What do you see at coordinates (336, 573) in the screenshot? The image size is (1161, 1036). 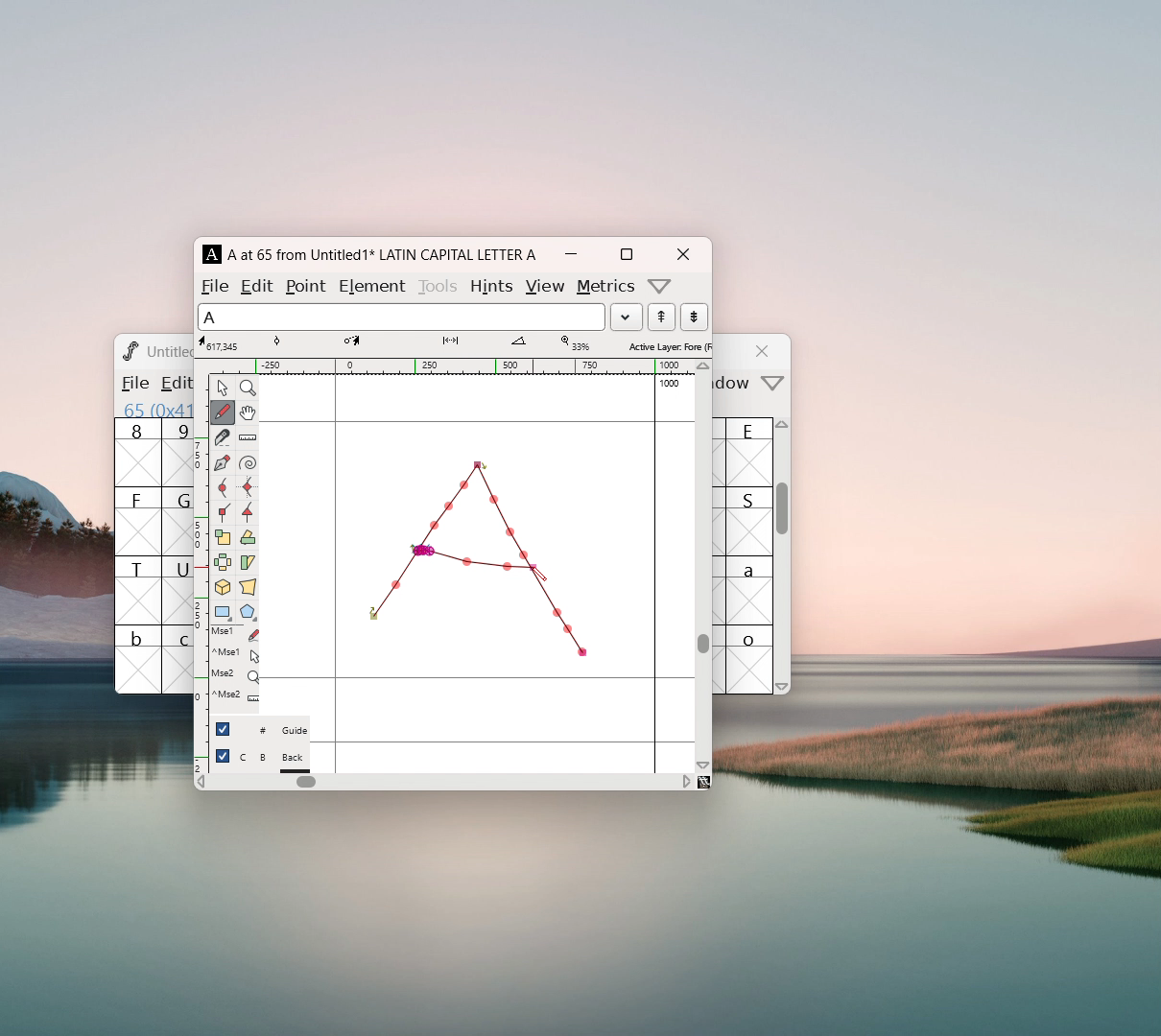 I see `left side bearing` at bounding box center [336, 573].